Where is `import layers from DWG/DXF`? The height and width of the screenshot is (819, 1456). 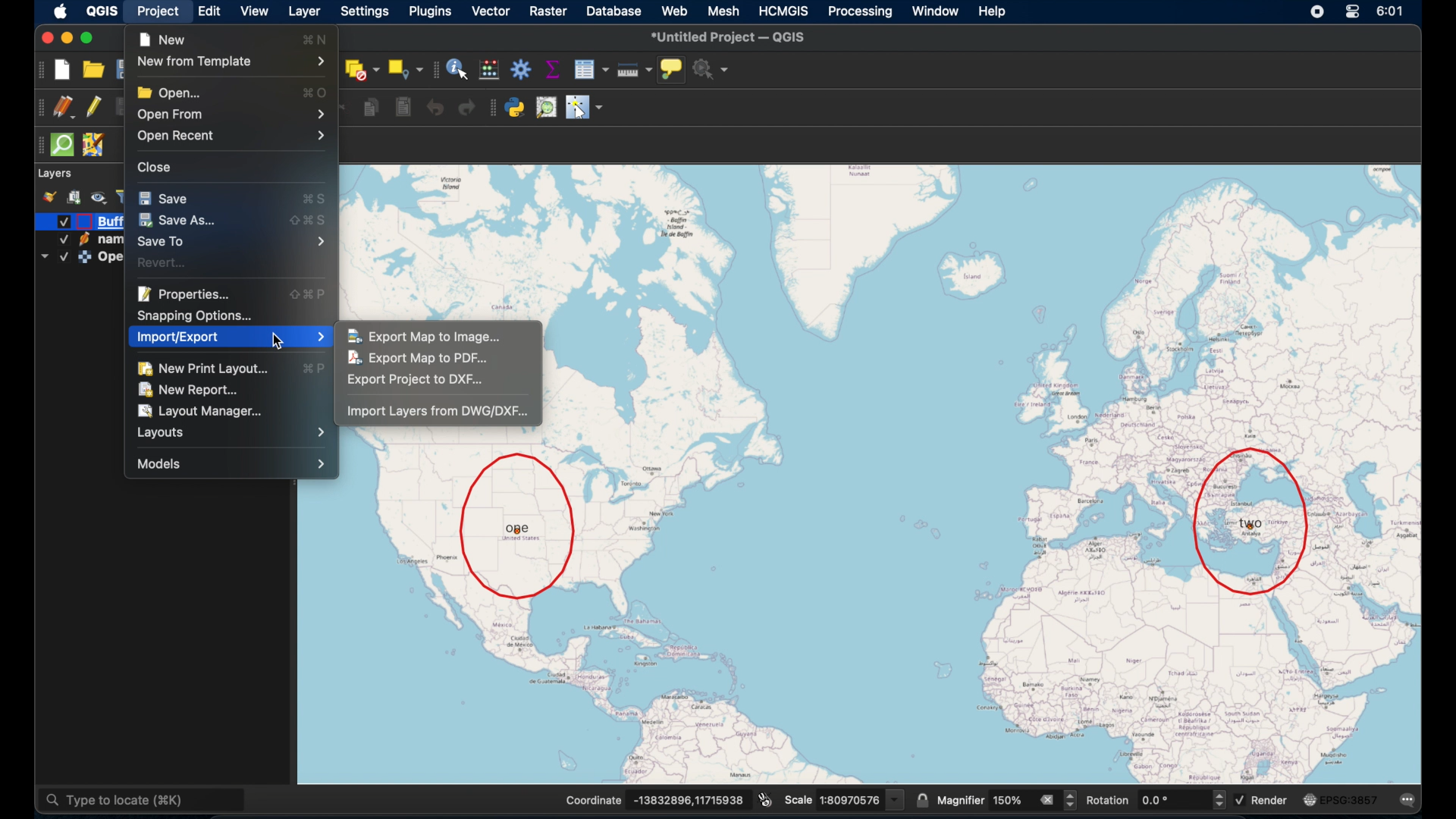
import layers from DWG/DXF is located at coordinates (439, 413).